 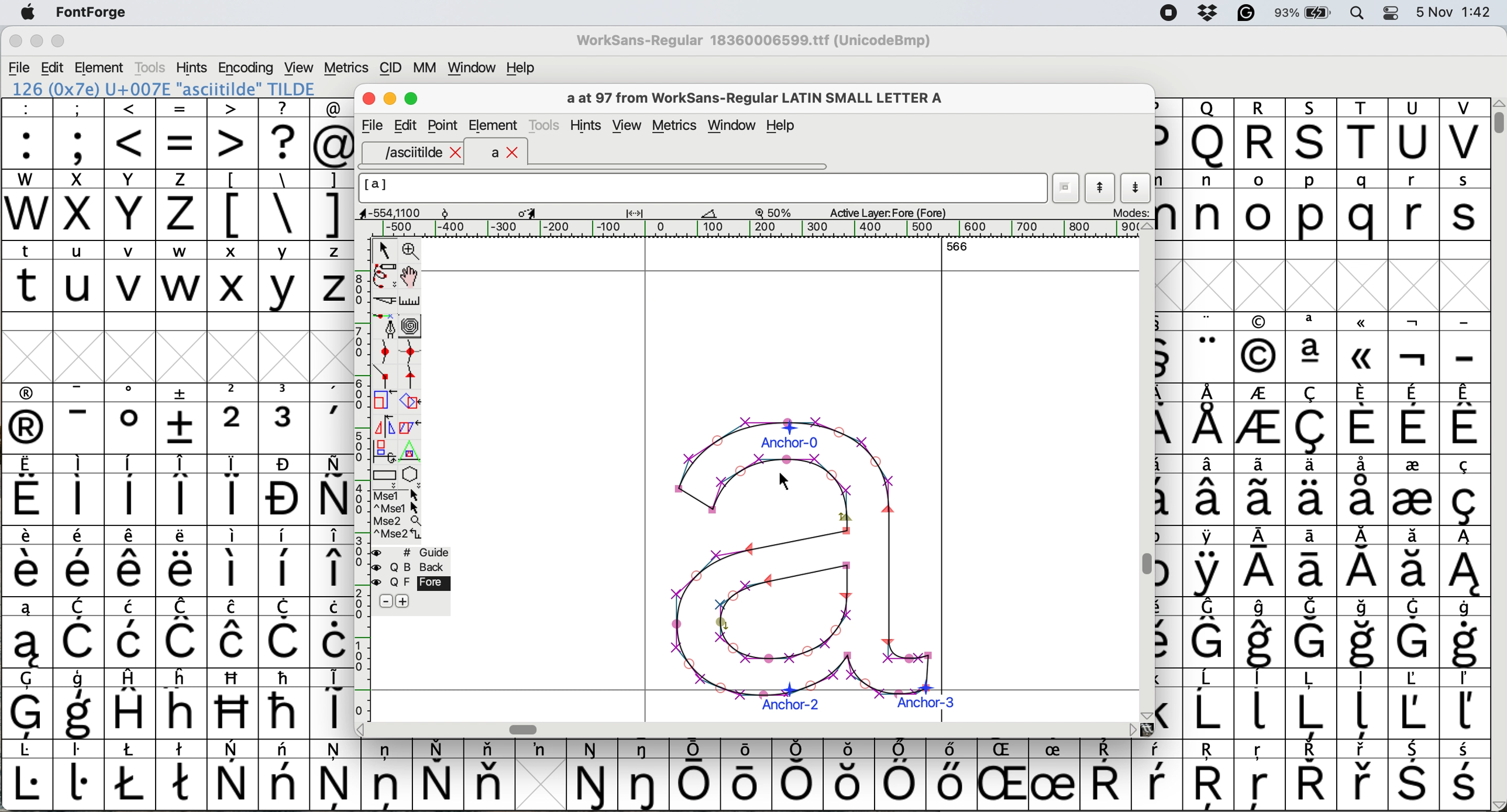 I want to click on symbol, so click(x=233, y=560).